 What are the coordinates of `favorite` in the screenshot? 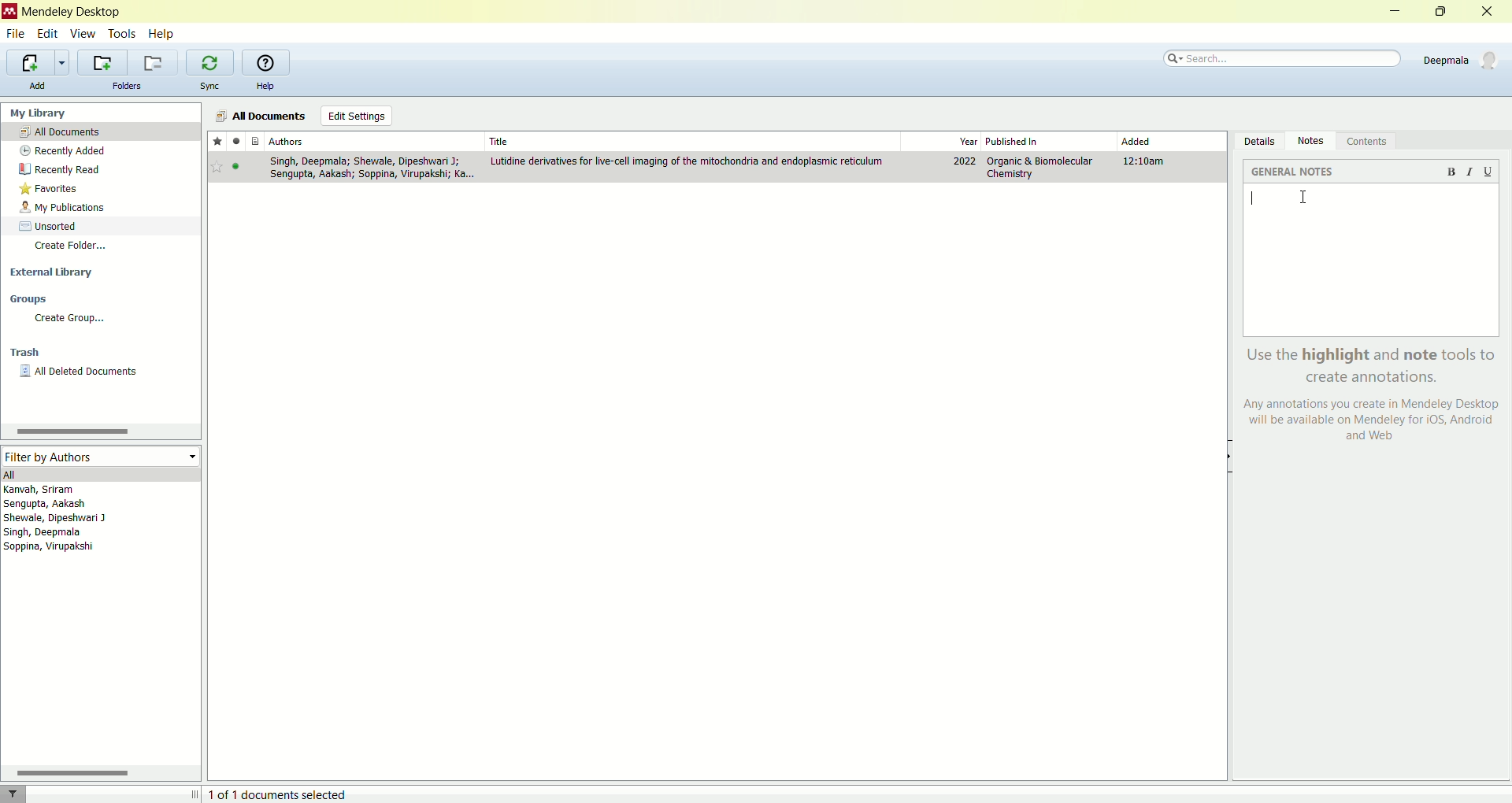 It's located at (217, 142).